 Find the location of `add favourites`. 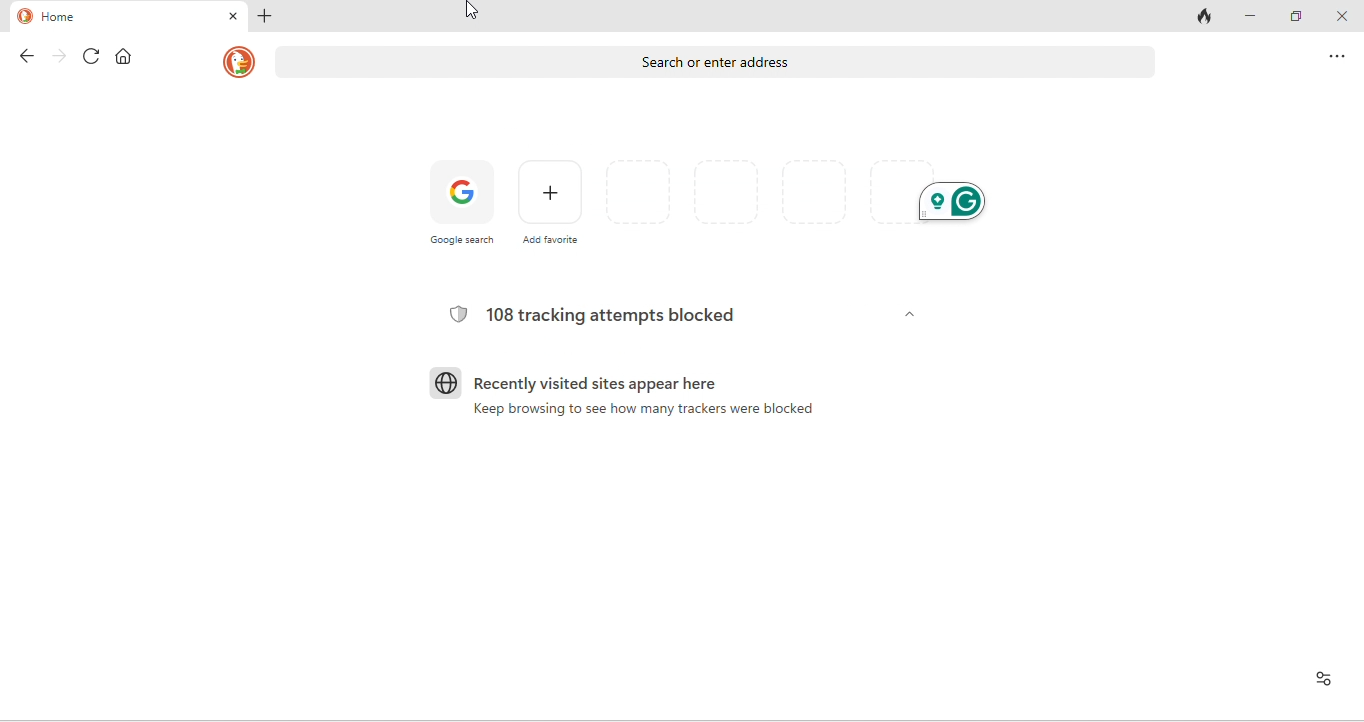

add favourites is located at coordinates (552, 201).